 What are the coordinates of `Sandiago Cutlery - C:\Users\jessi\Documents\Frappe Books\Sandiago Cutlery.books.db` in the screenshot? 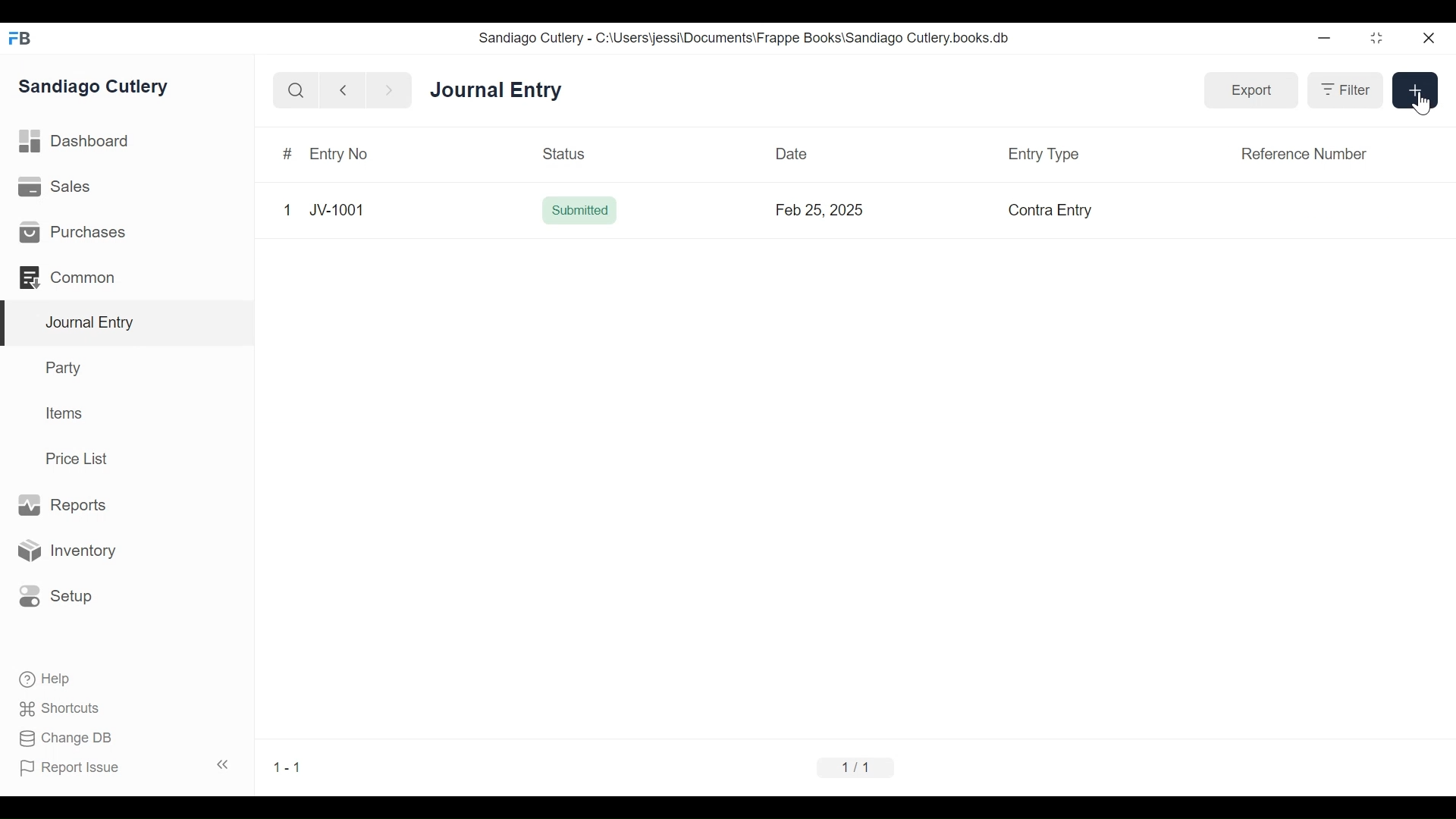 It's located at (747, 39).